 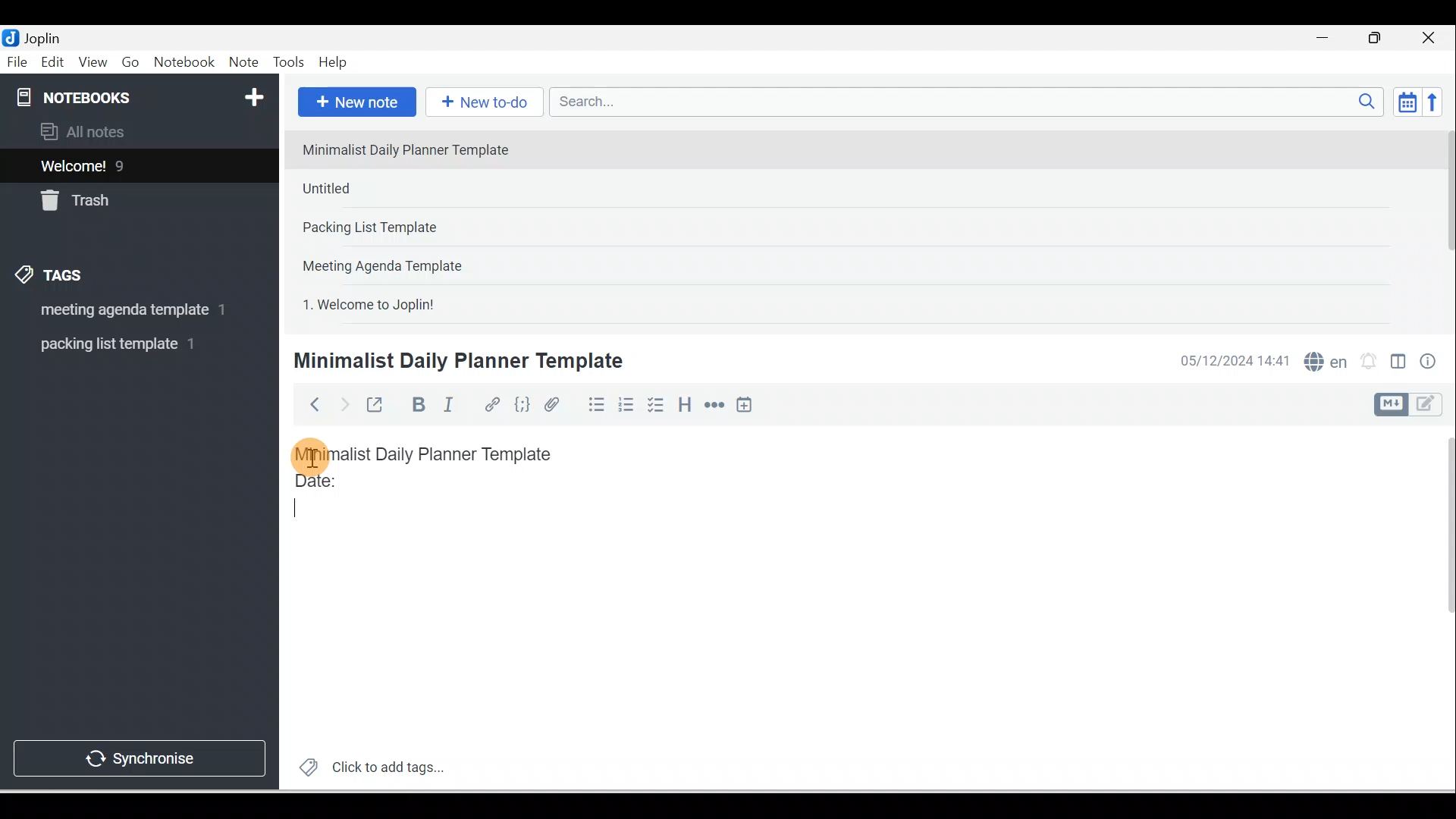 I want to click on Synchronise, so click(x=138, y=755).